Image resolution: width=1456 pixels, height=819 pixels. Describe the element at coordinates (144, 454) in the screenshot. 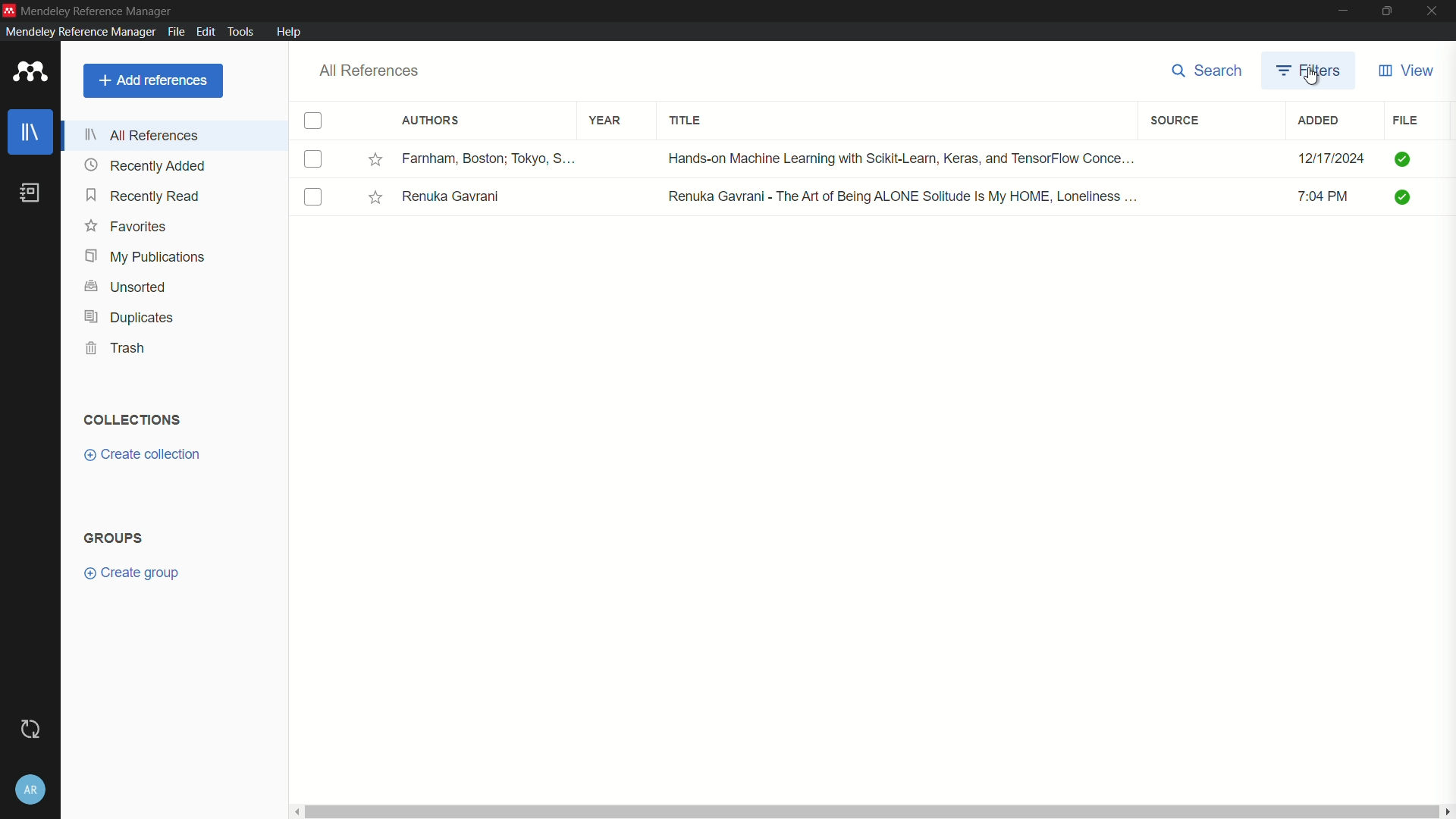

I see `create collection` at that location.